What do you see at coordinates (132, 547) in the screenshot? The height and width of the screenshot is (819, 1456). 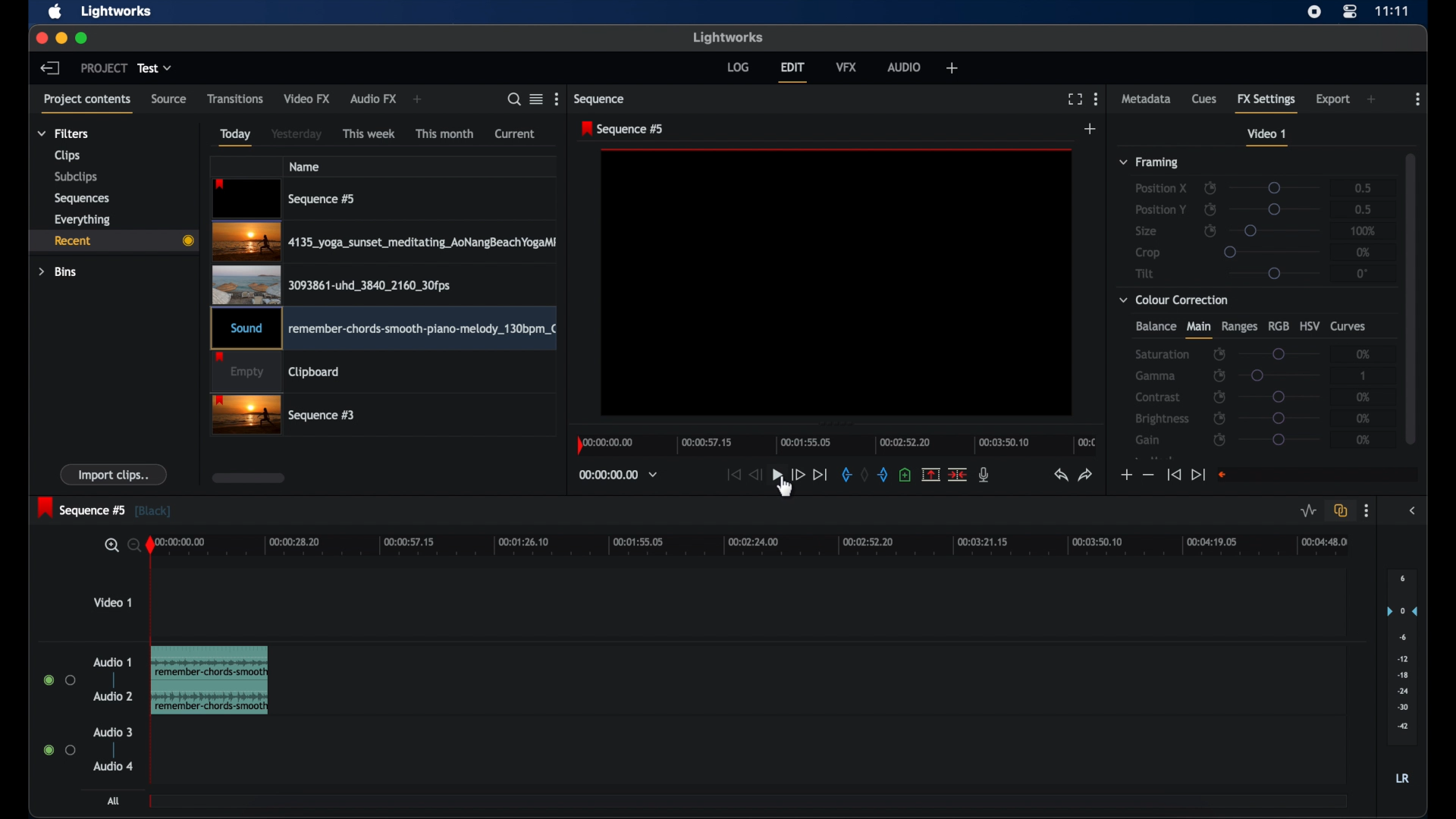 I see `zoom out` at bounding box center [132, 547].